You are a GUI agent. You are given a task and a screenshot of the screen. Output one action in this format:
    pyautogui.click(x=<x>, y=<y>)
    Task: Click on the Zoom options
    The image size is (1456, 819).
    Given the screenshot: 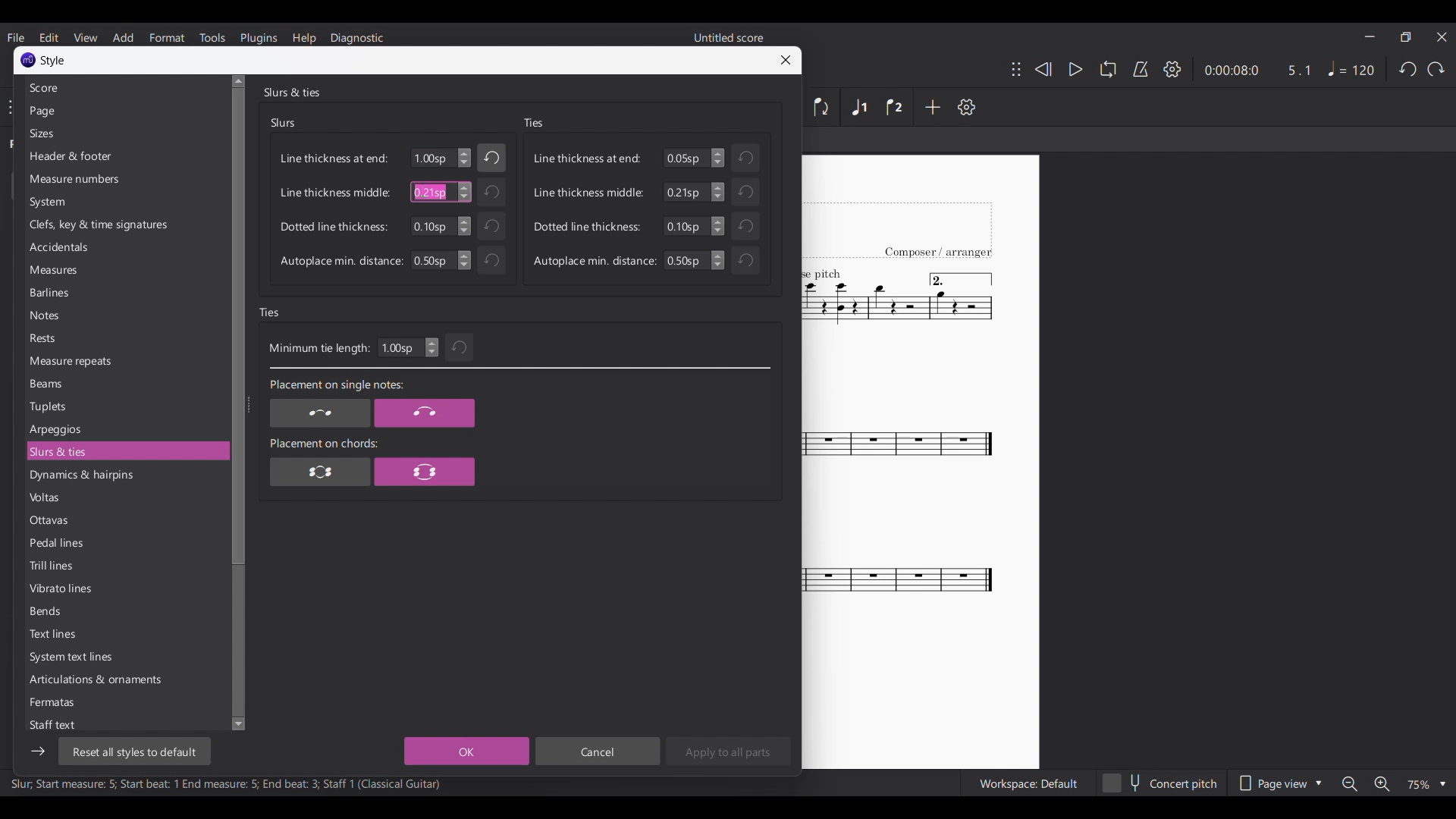 What is the action you would take?
    pyautogui.click(x=1426, y=784)
    